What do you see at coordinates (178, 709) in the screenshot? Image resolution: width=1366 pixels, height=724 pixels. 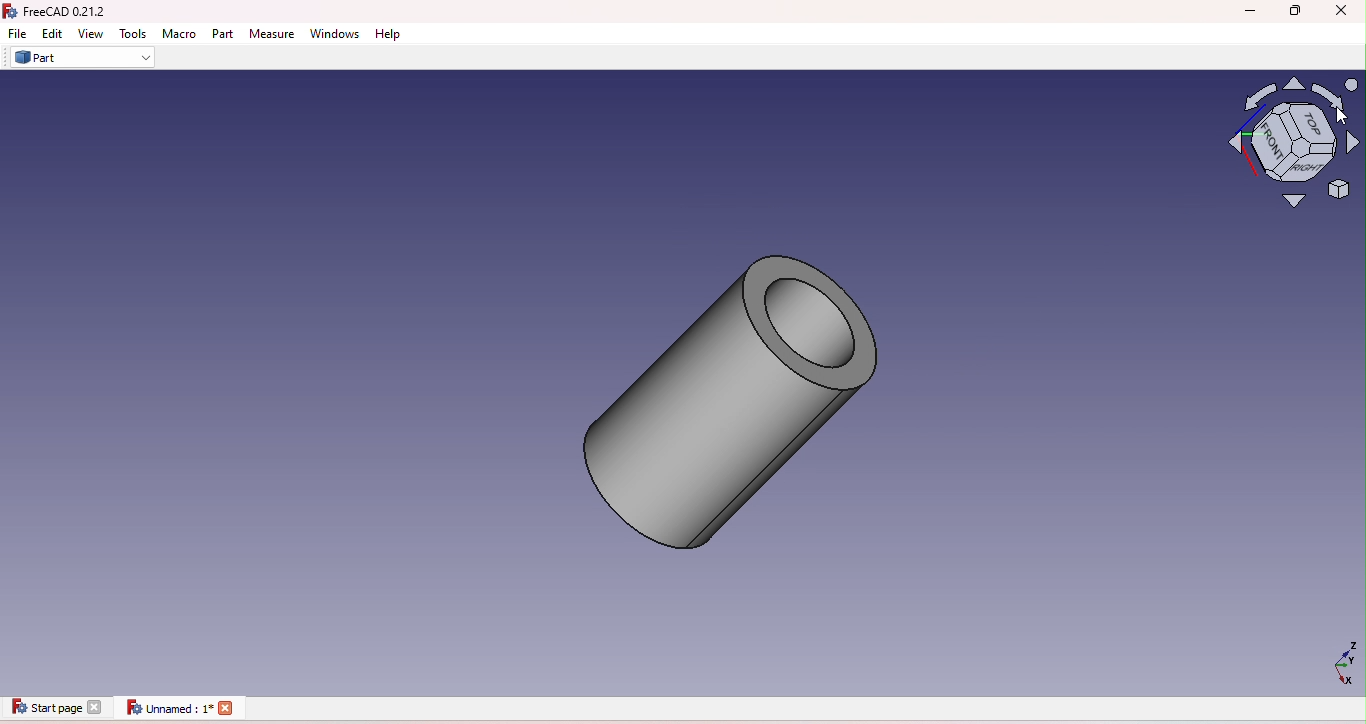 I see `Unnamed document` at bounding box center [178, 709].